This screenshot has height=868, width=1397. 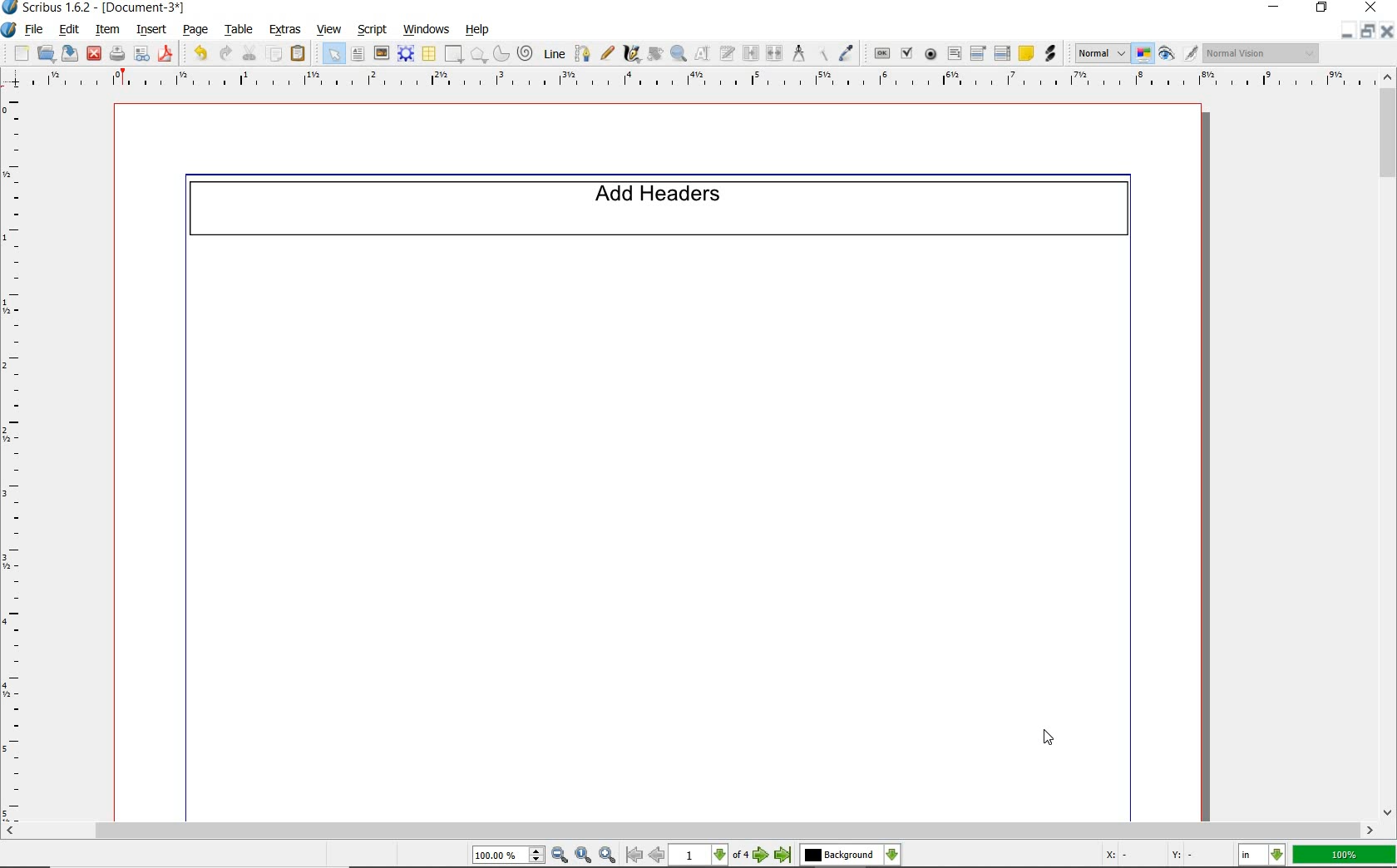 I want to click on close, so click(x=1371, y=7).